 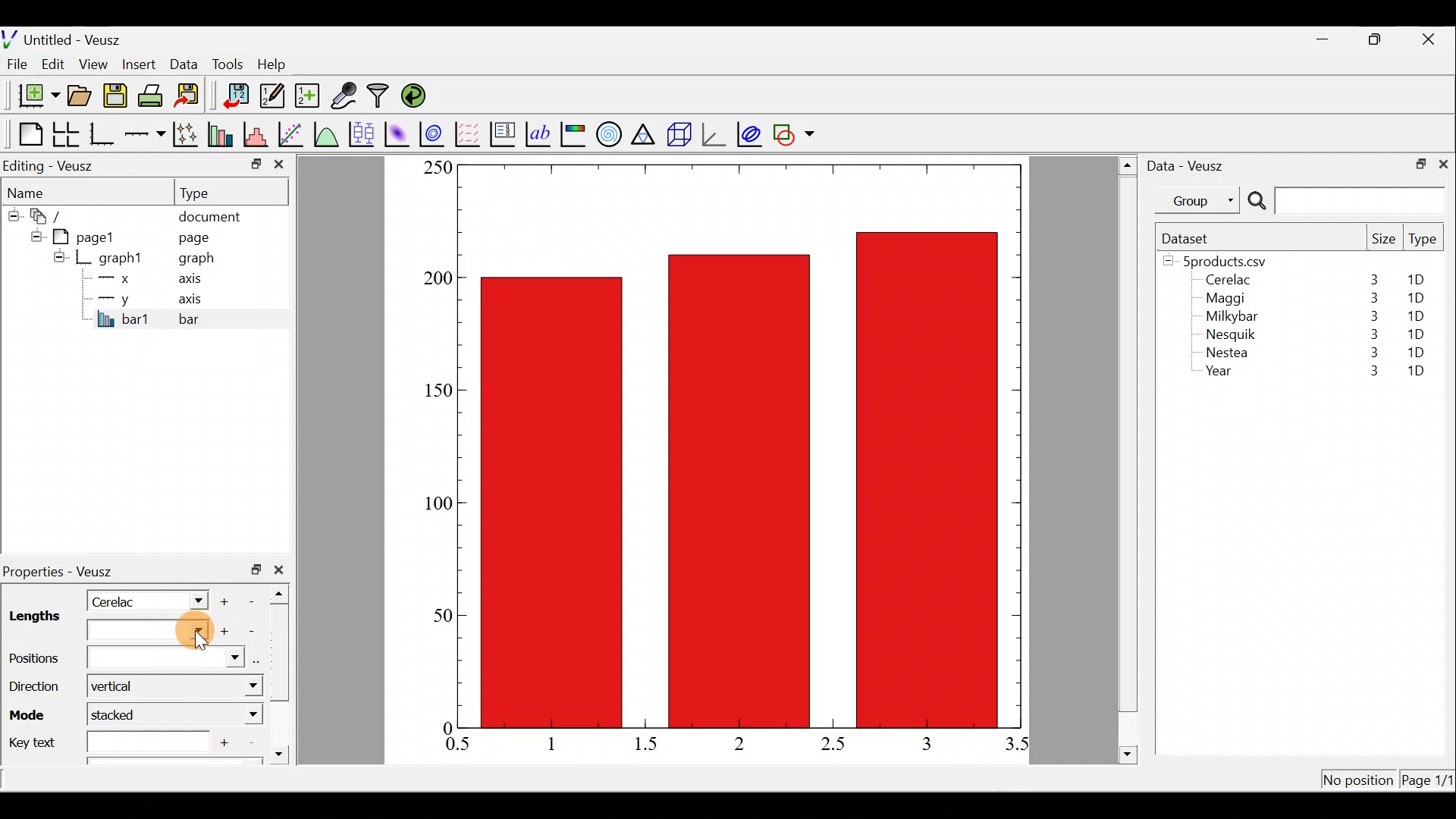 What do you see at coordinates (127, 631) in the screenshot?
I see `Length dropdown` at bounding box center [127, 631].